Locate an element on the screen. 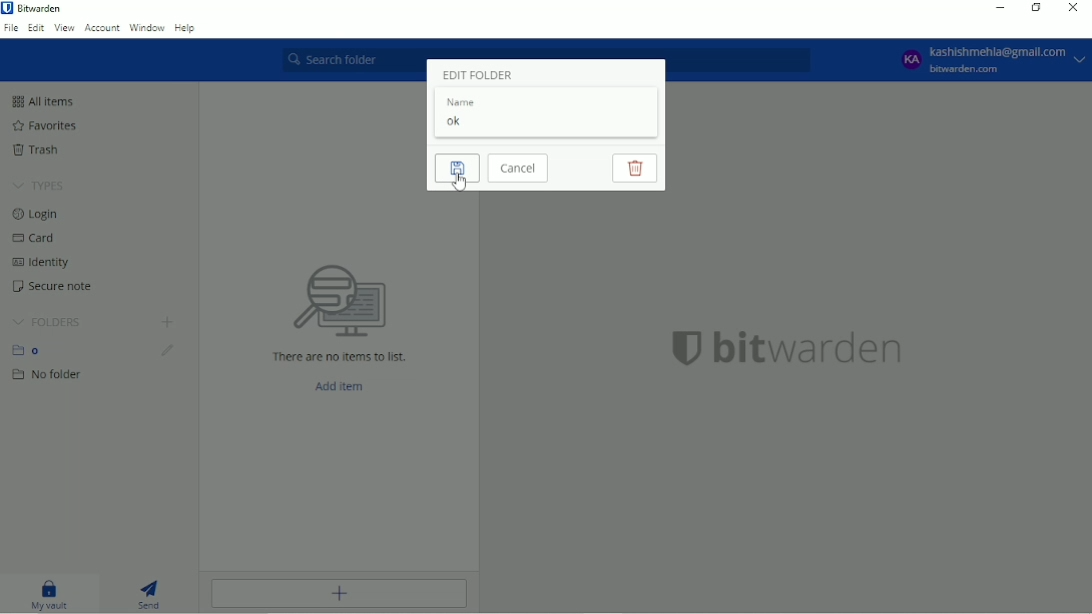 Image resolution: width=1092 pixels, height=614 pixels. Folder O is located at coordinates (31, 350).